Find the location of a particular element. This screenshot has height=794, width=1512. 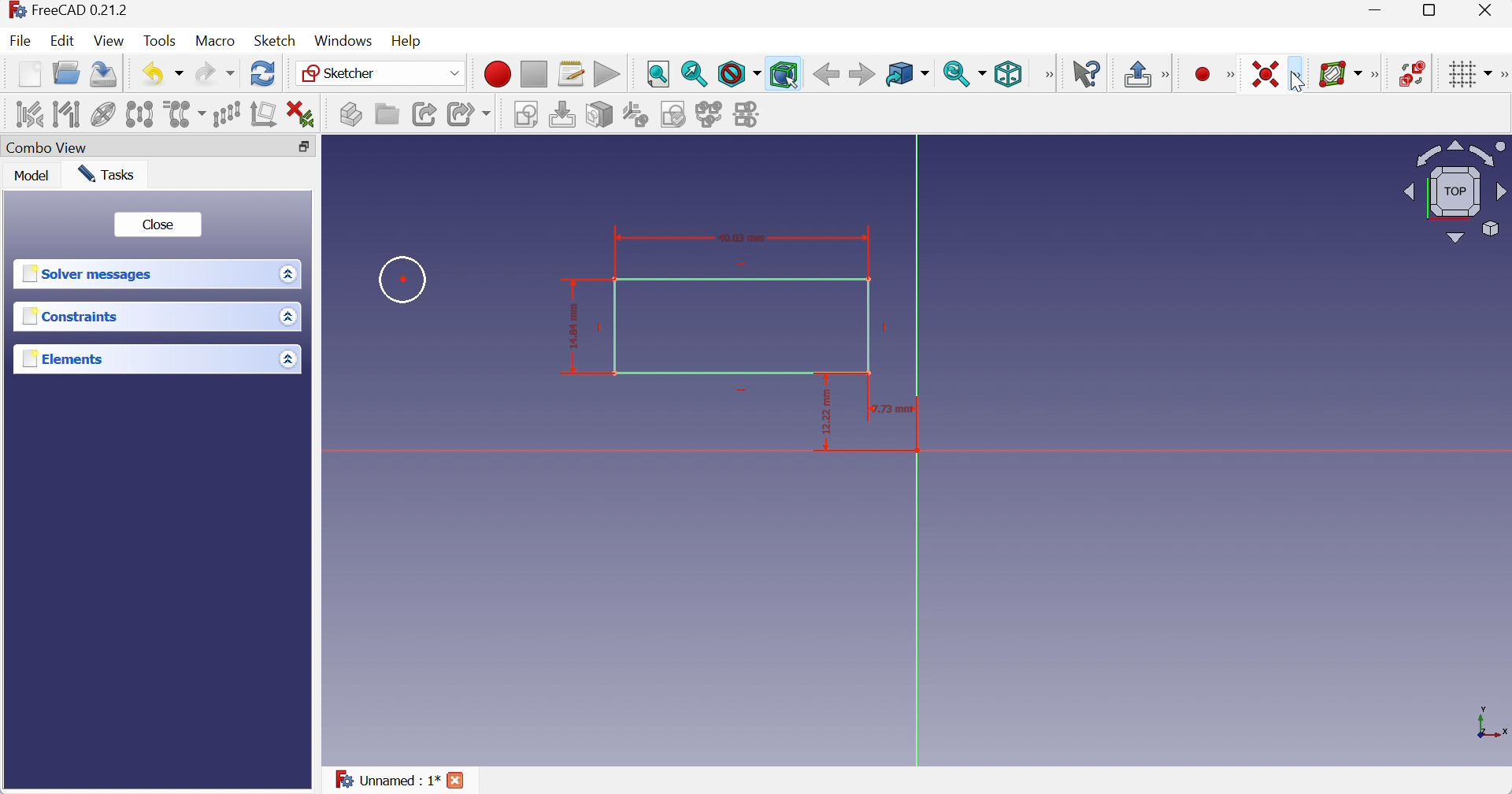

Remove axes alignment is located at coordinates (264, 114).